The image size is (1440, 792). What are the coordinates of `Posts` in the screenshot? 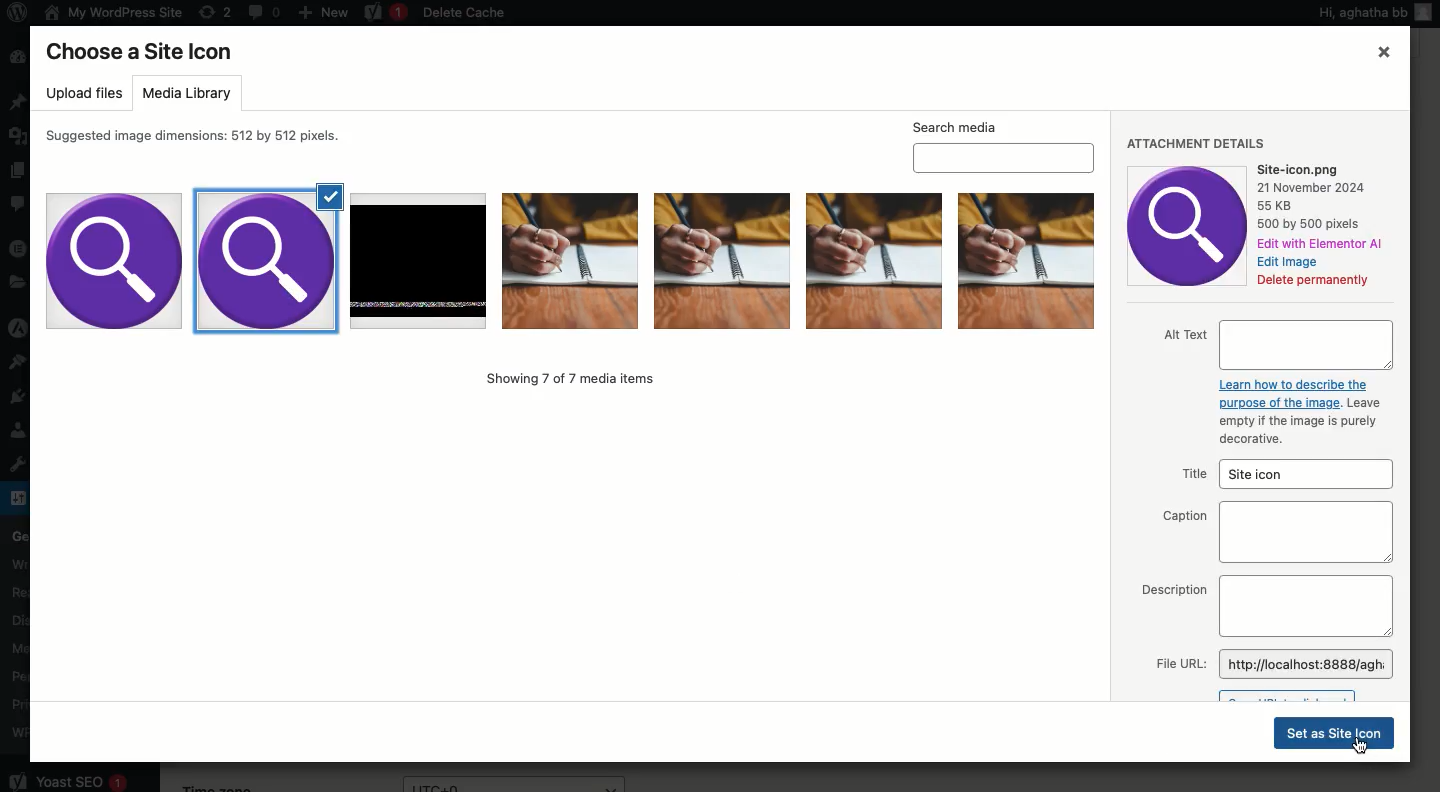 It's located at (19, 103).